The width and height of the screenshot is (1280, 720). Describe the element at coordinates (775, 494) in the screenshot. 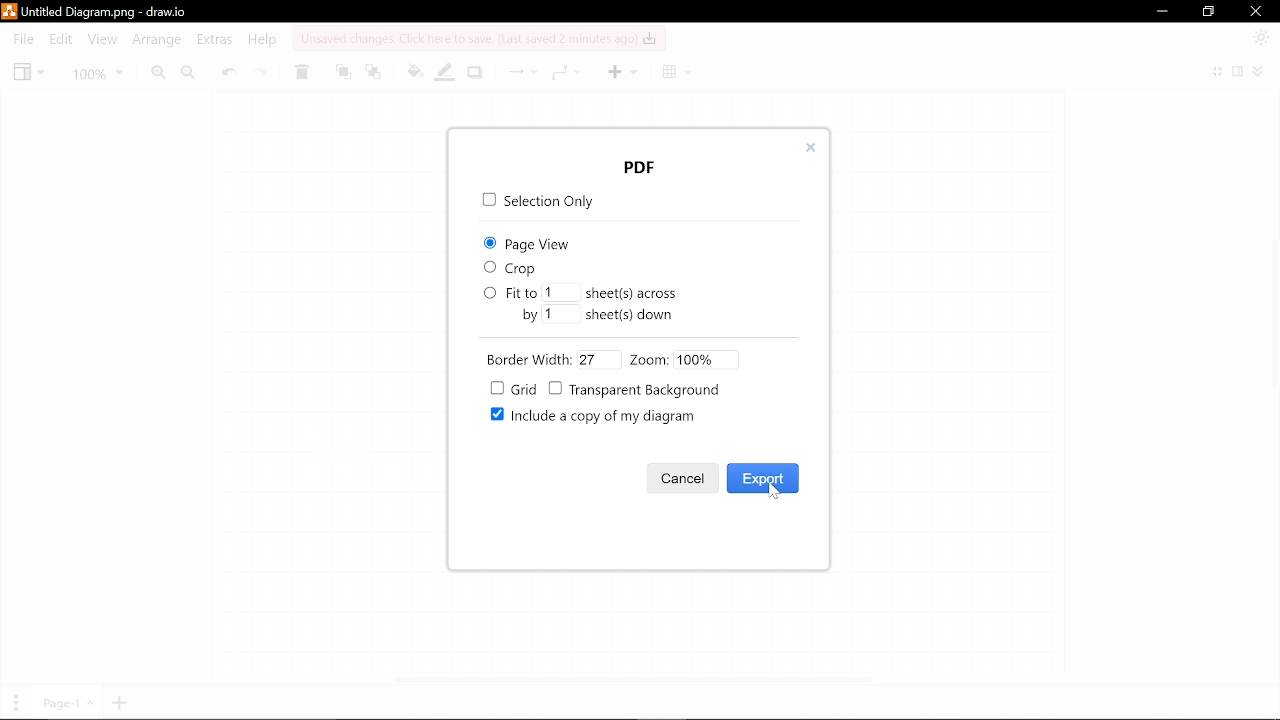

I see `cursor` at that location.